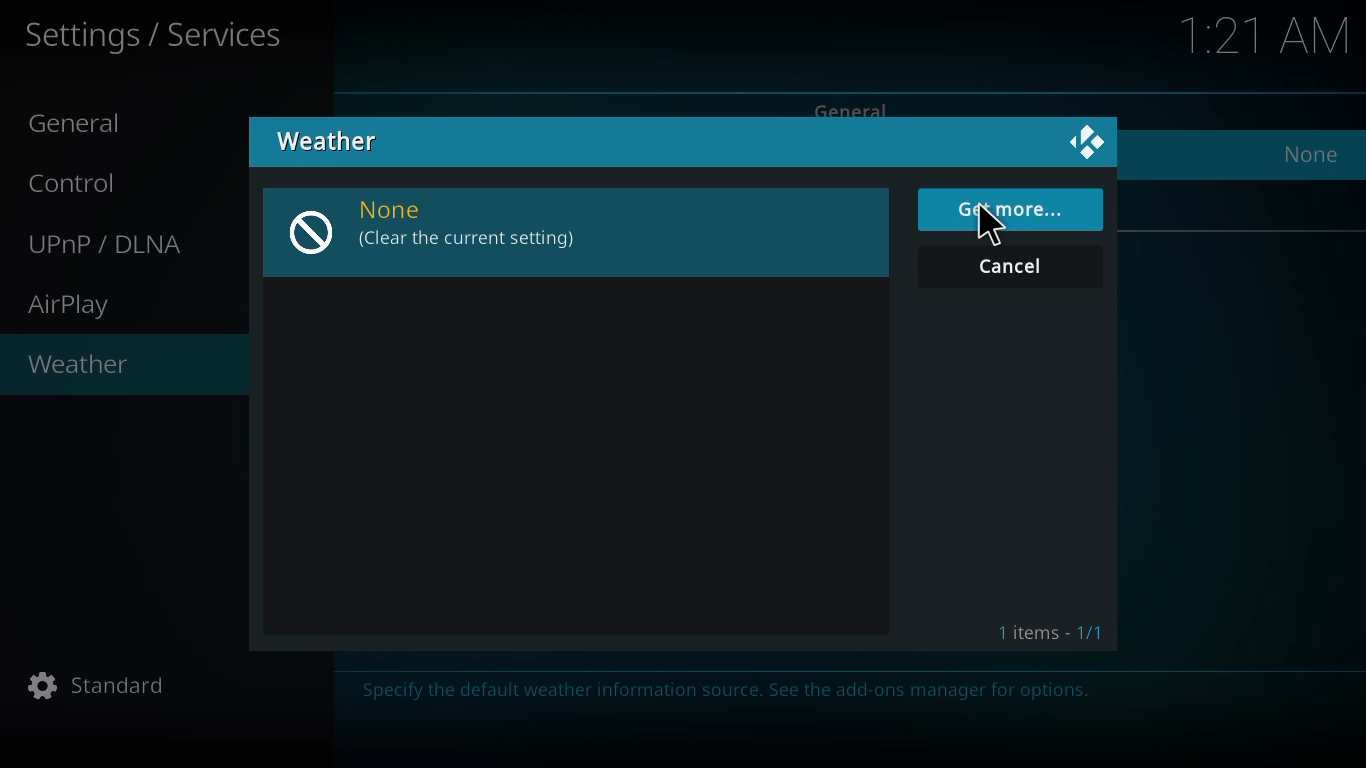 The width and height of the screenshot is (1366, 768). What do you see at coordinates (83, 124) in the screenshot?
I see `general` at bounding box center [83, 124].